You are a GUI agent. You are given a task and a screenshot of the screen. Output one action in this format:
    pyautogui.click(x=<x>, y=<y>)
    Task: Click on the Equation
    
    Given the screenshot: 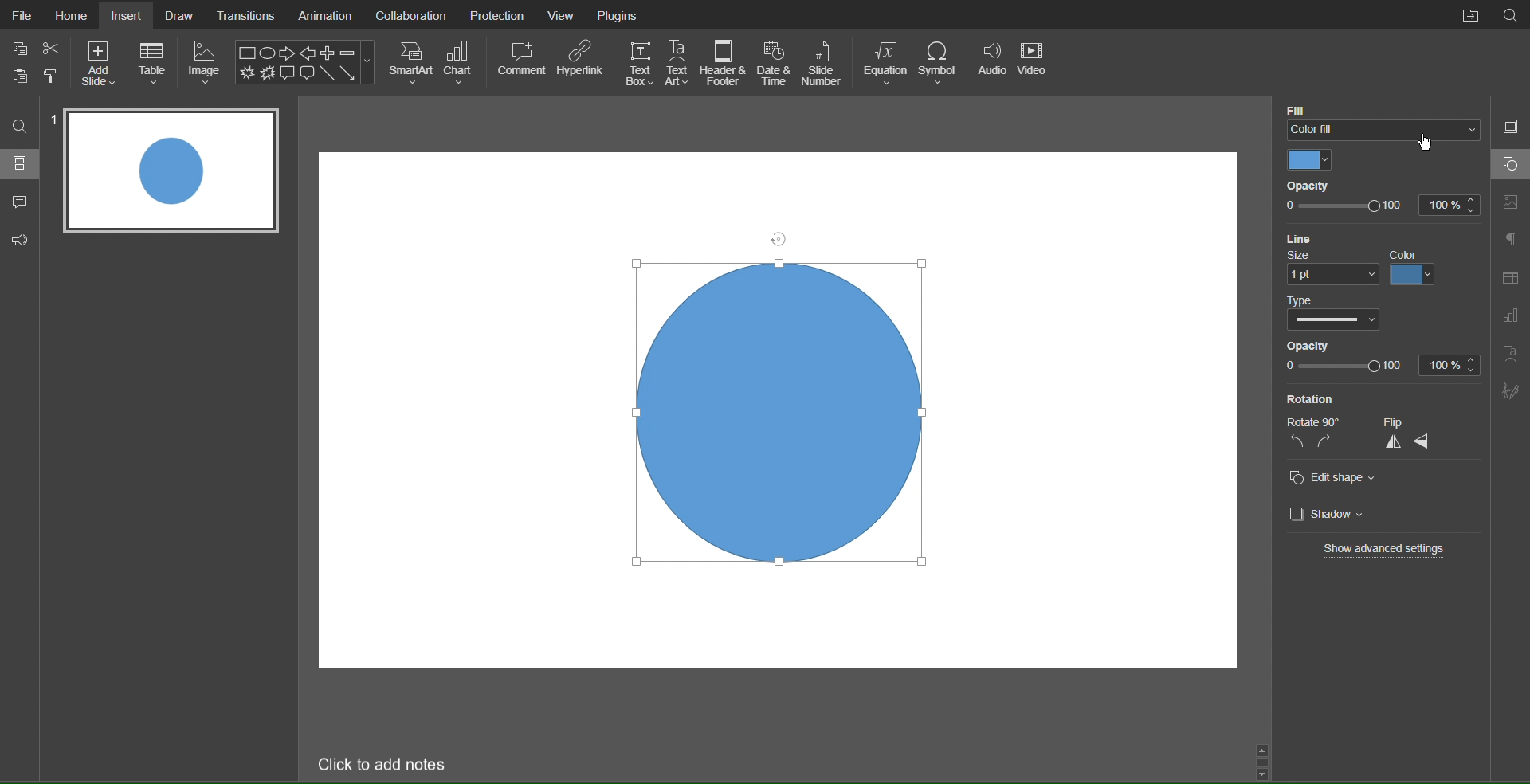 What is the action you would take?
    pyautogui.click(x=885, y=63)
    